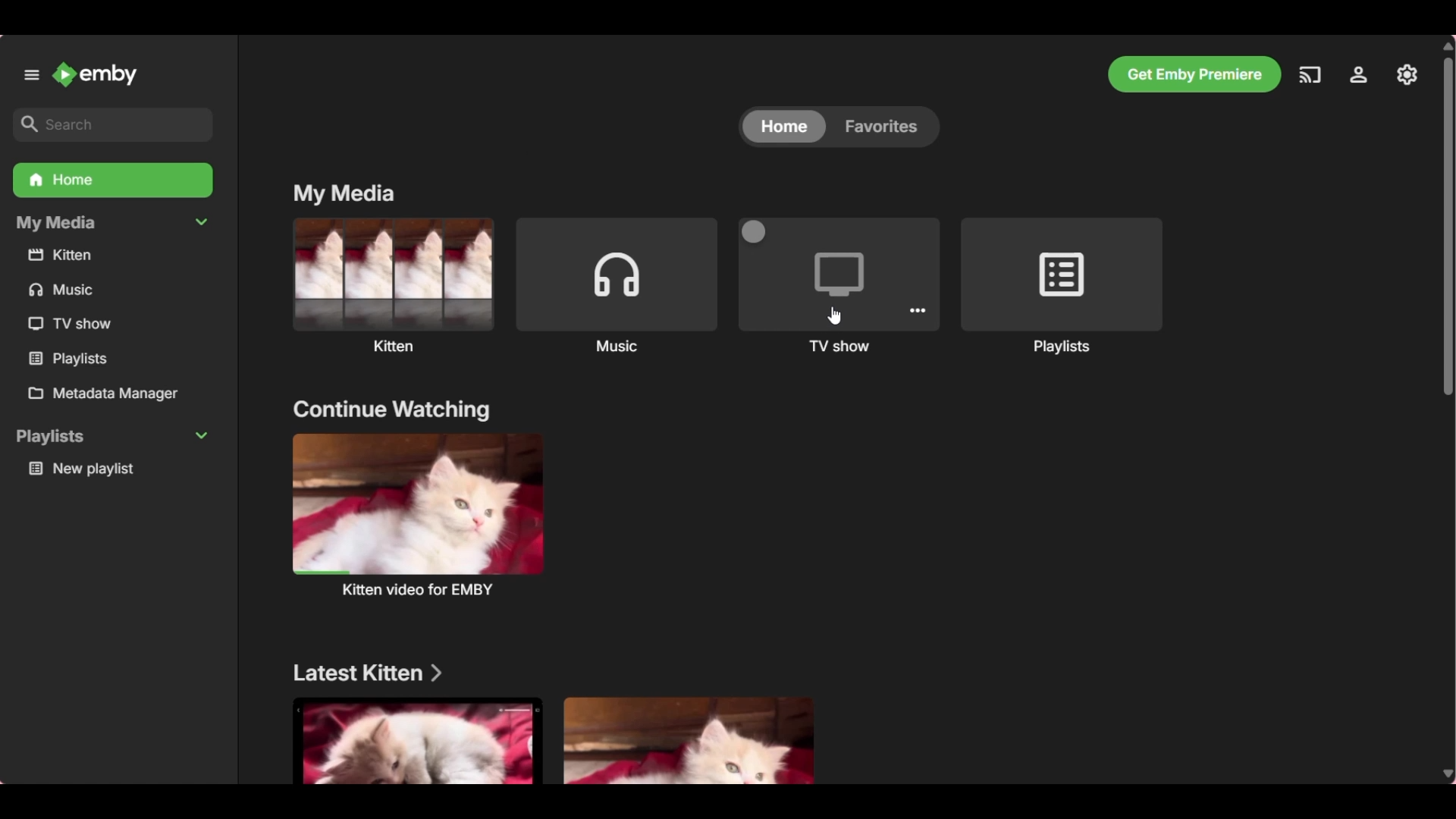 This screenshot has height=819, width=1456. I want to click on text, so click(839, 347).